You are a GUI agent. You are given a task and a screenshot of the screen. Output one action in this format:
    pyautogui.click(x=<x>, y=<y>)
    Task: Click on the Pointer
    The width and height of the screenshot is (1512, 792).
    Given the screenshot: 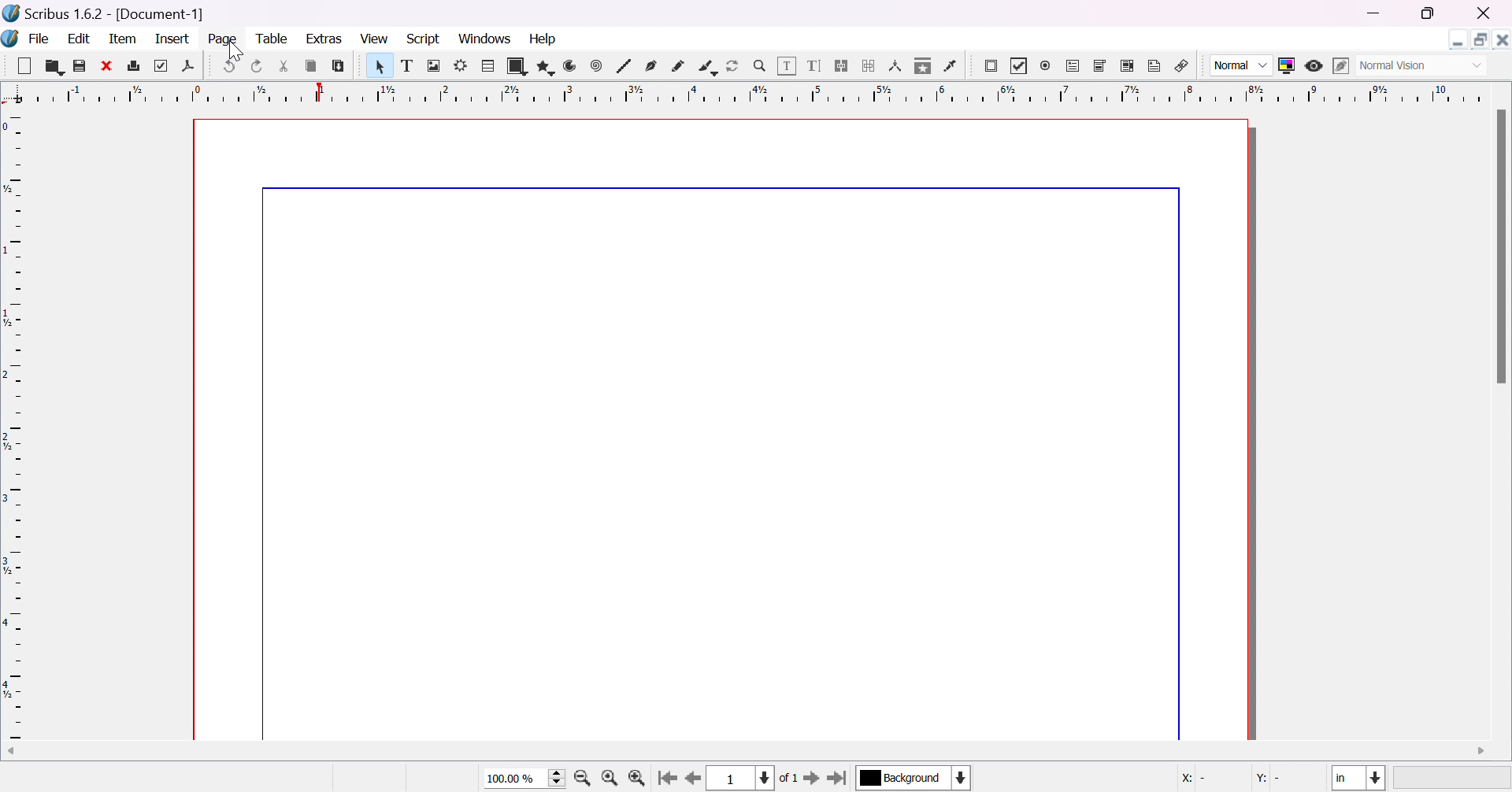 What is the action you would take?
    pyautogui.click(x=375, y=65)
    